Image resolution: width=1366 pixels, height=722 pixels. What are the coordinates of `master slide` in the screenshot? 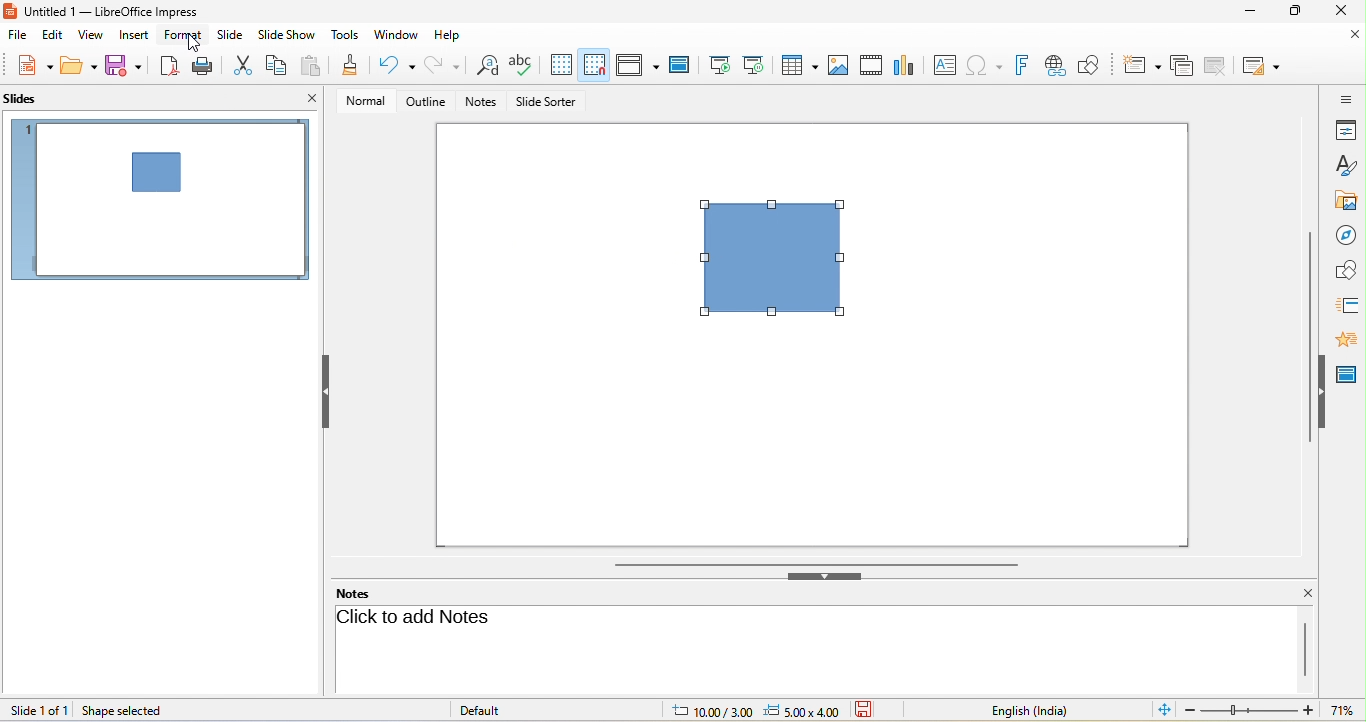 It's located at (677, 63).